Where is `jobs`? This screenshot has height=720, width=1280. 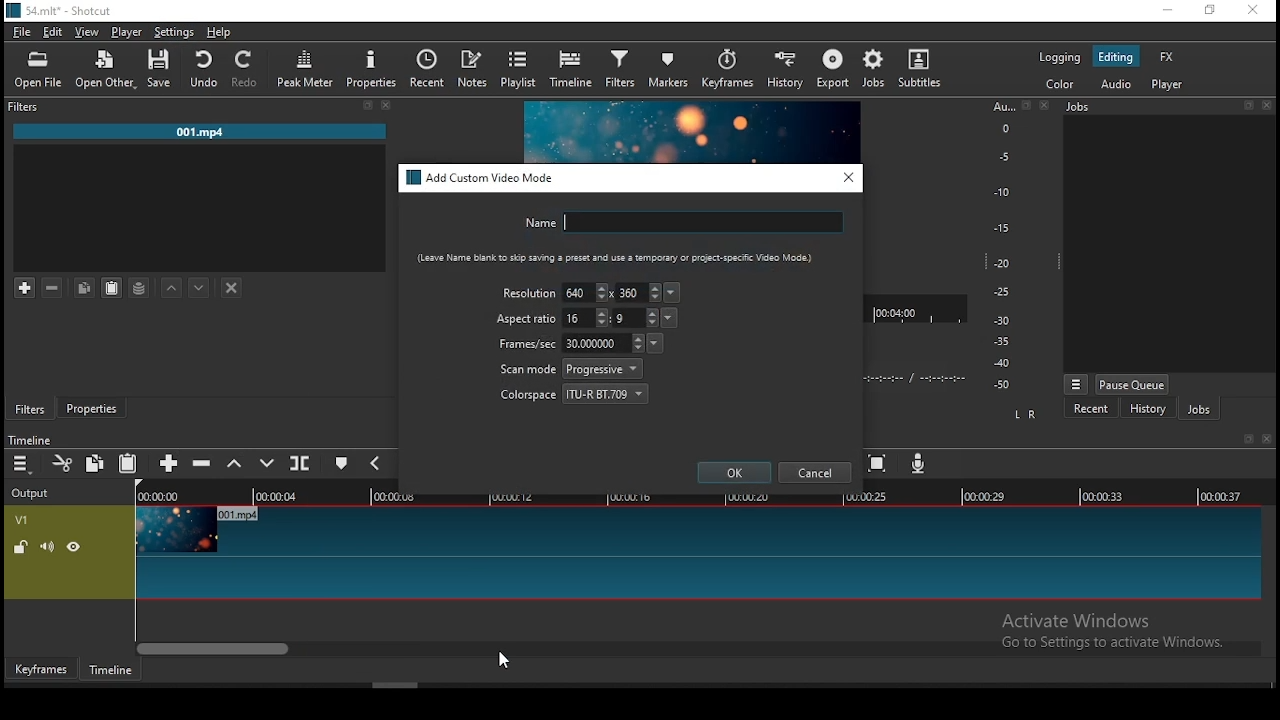
jobs is located at coordinates (875, 68).